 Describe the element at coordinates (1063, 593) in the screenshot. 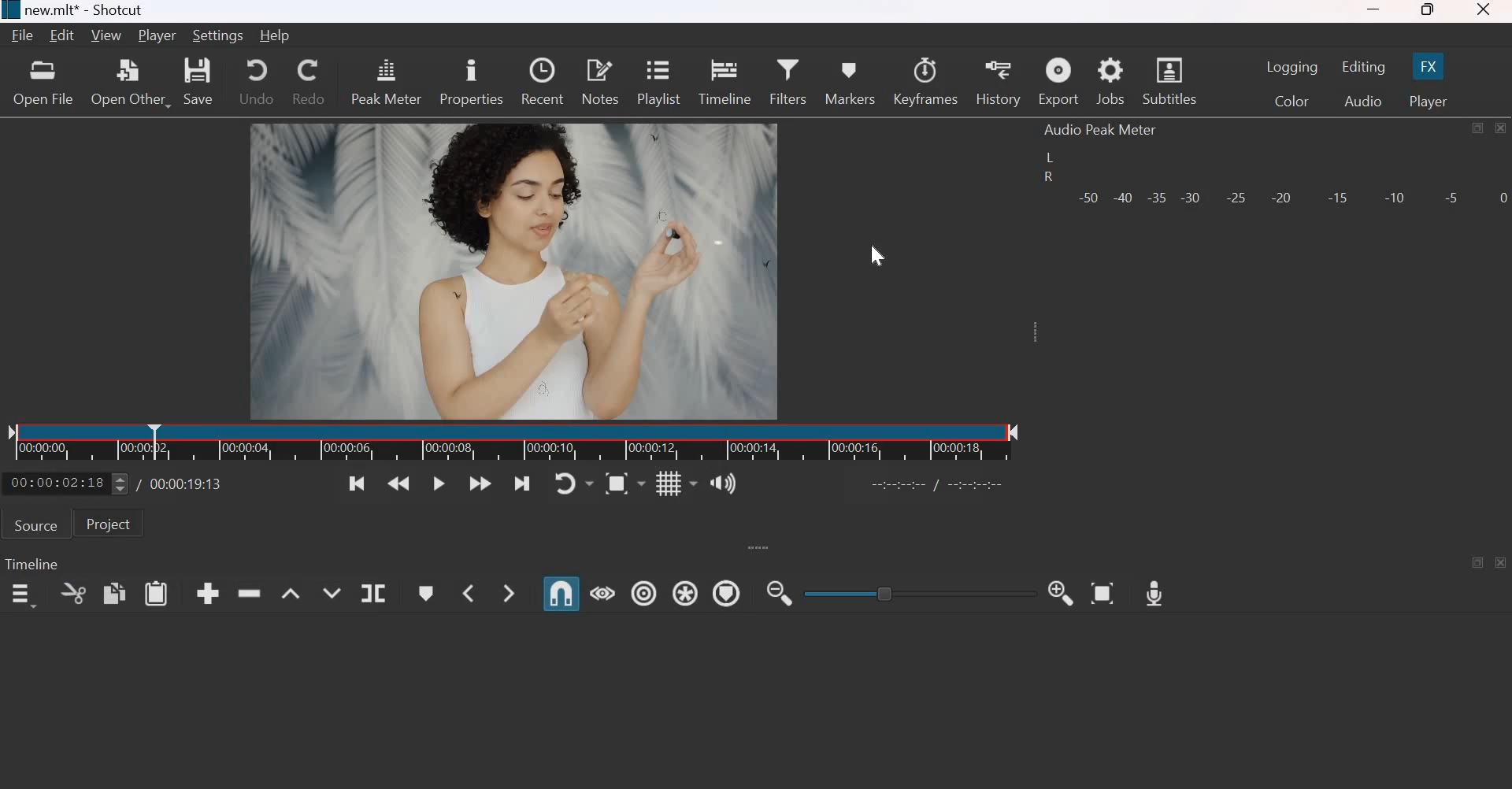

I see `Zoom Timeline in` at that location.